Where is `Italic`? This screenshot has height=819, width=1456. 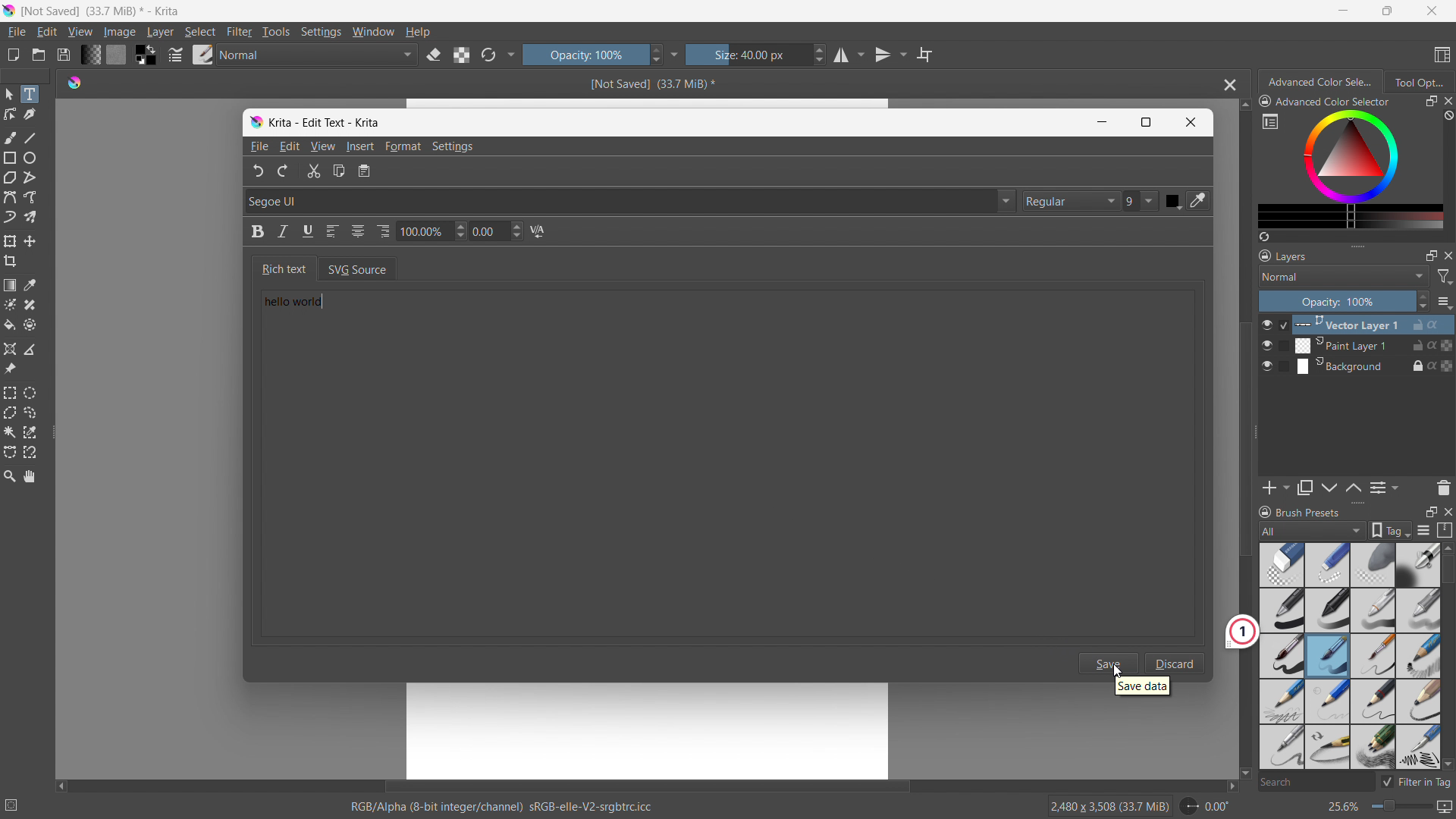 Italic is located at coordinates (283, 232).